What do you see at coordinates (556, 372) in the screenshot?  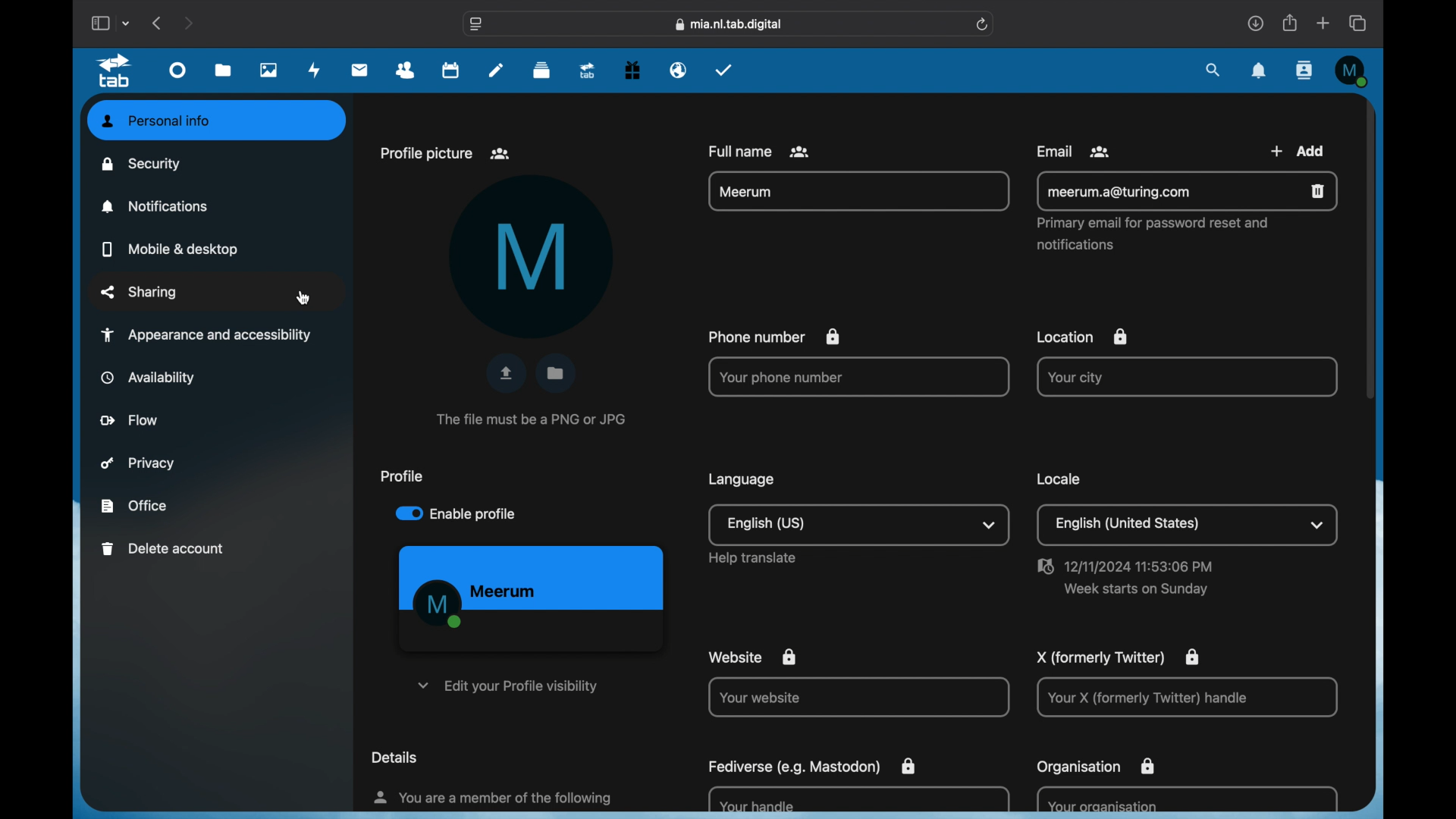 I see `folder` at bounding box center [556, 372].